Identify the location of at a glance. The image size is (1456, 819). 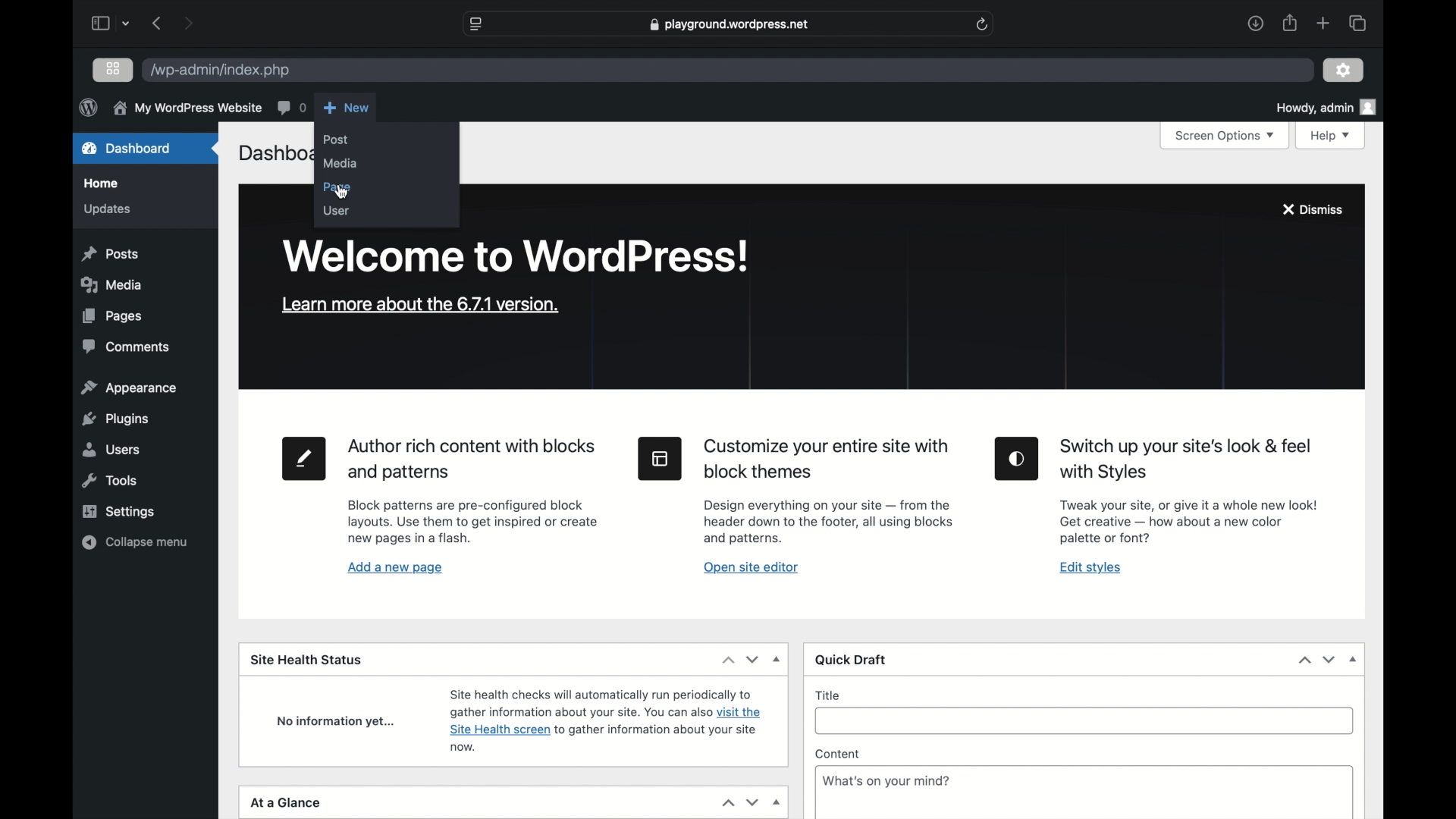
(286, 803).